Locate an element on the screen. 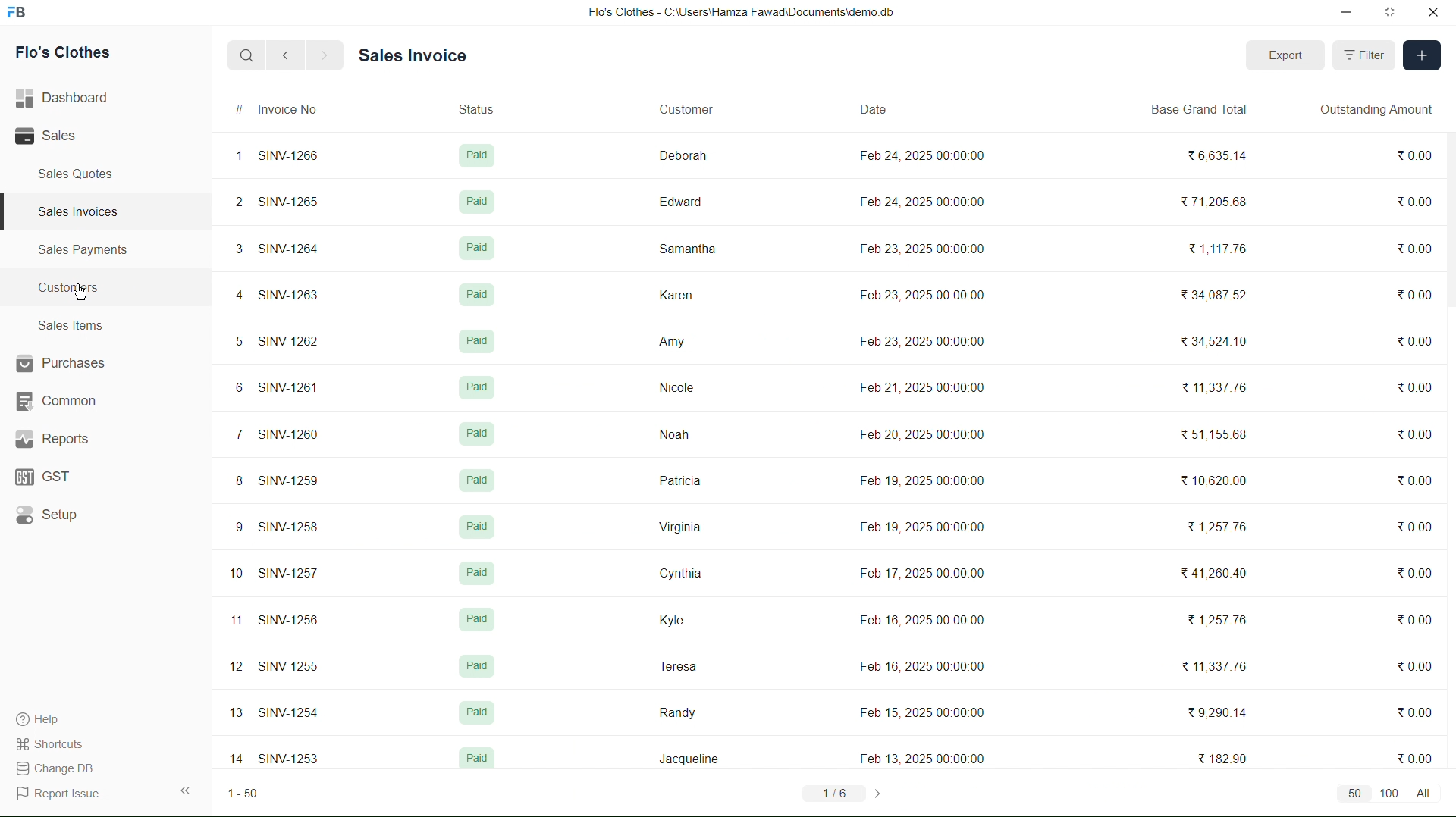 This screenshot has height=817, width=1456. Outstanding Amount is located at coordinates (1382, 112).